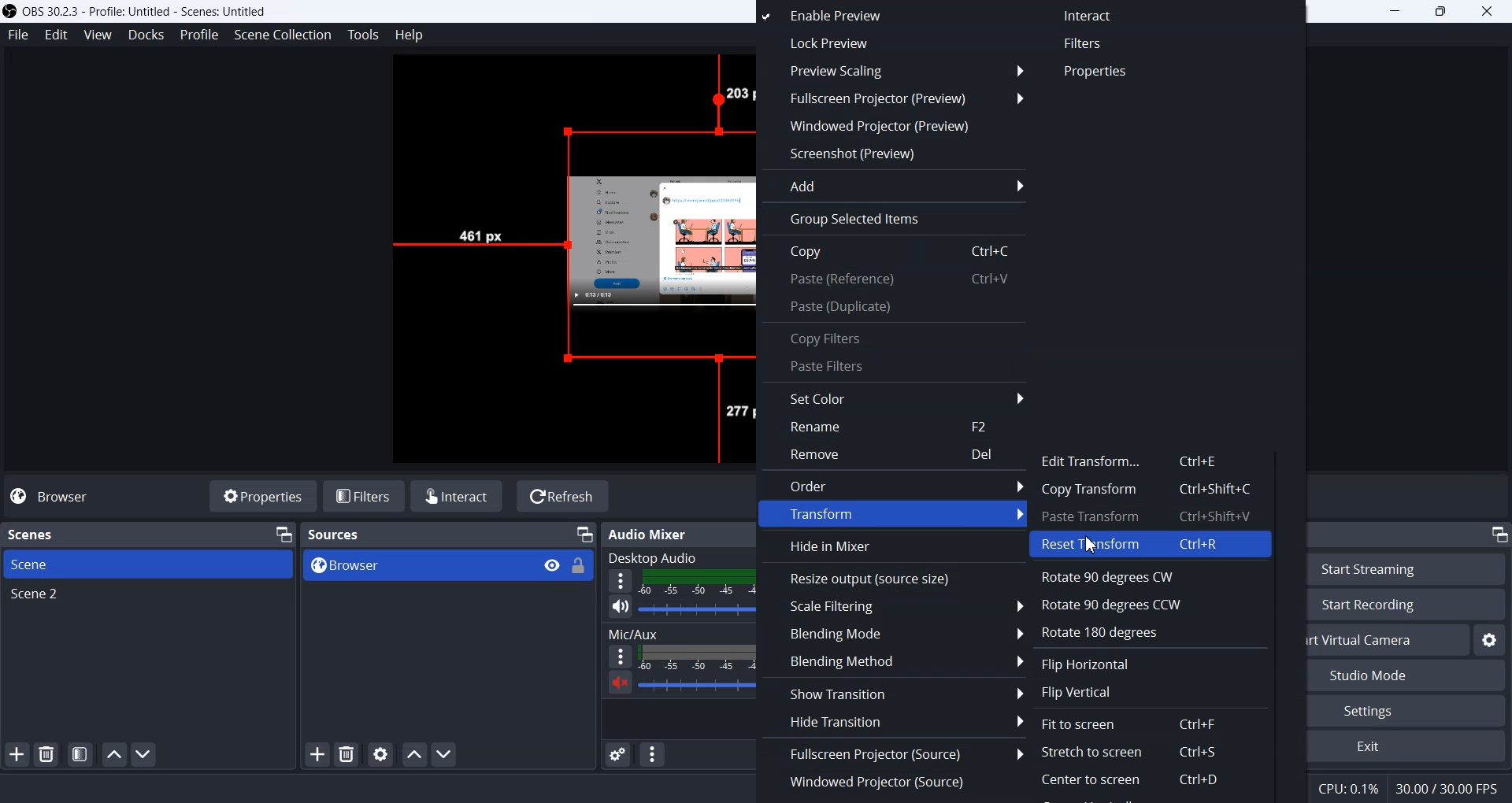  Describe the element at coordinates (346, 754) in the screenshot. I see `Remove selected sources` at that location.